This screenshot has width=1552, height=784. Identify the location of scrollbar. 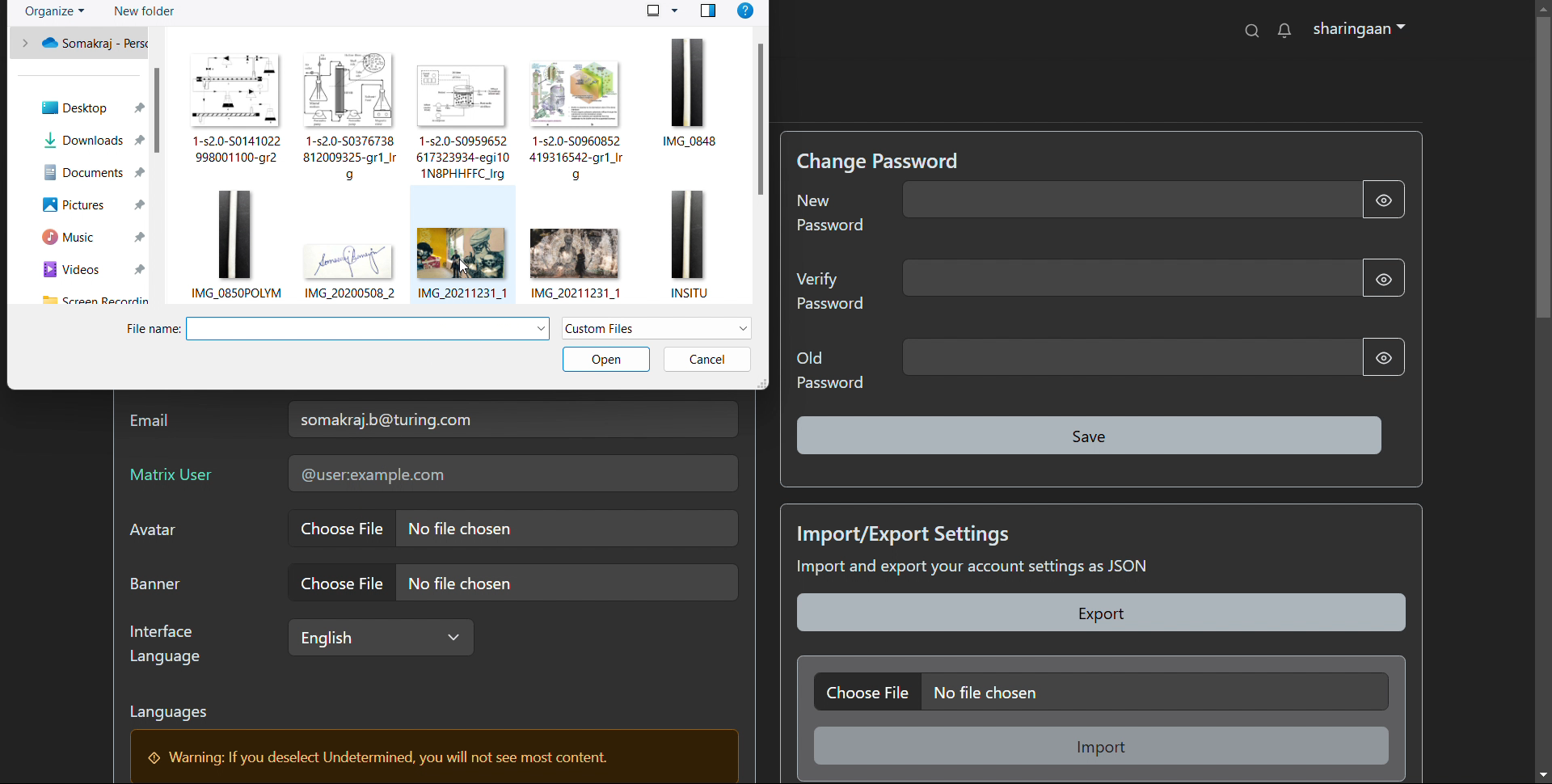
(1544, 388).